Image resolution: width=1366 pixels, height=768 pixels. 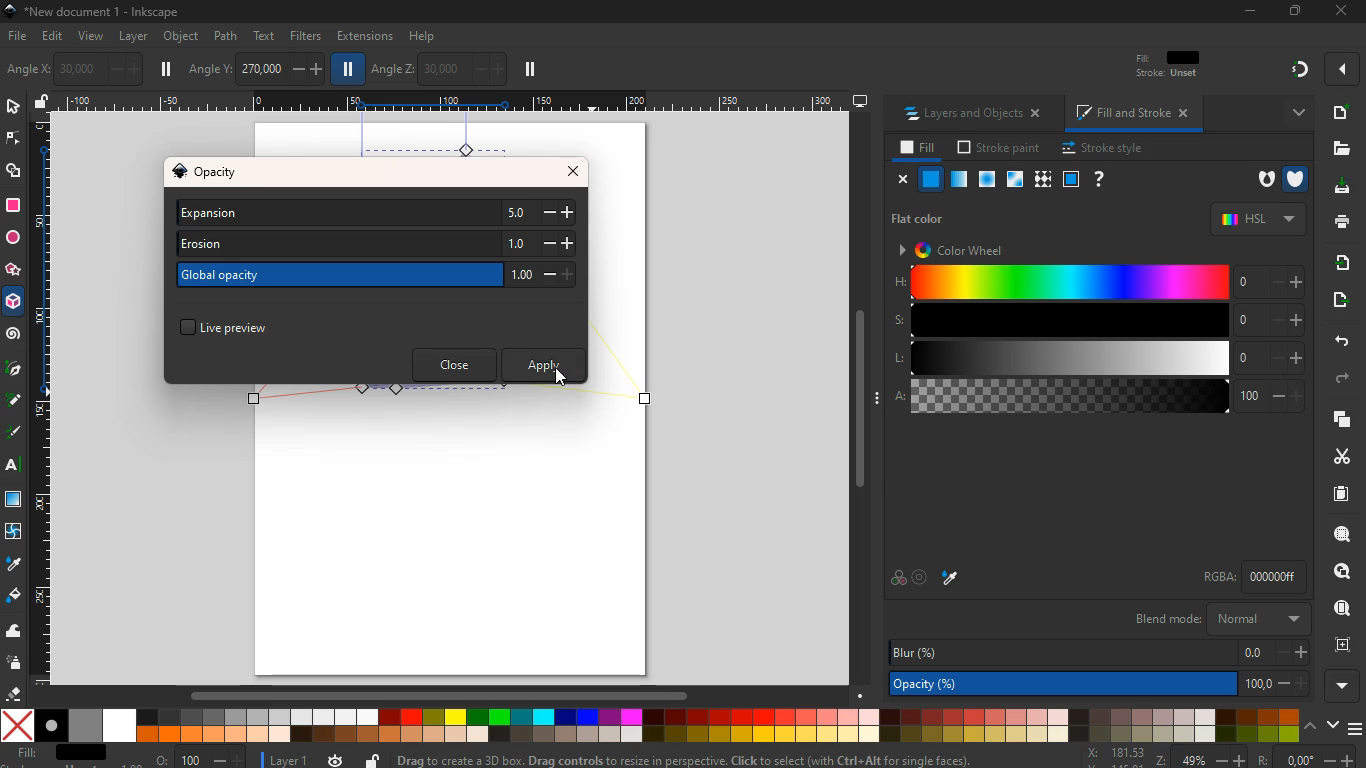 What do you see at coordinates (12, 237) in the screenshot?
I see `circle` at bounding box center [12, 237].